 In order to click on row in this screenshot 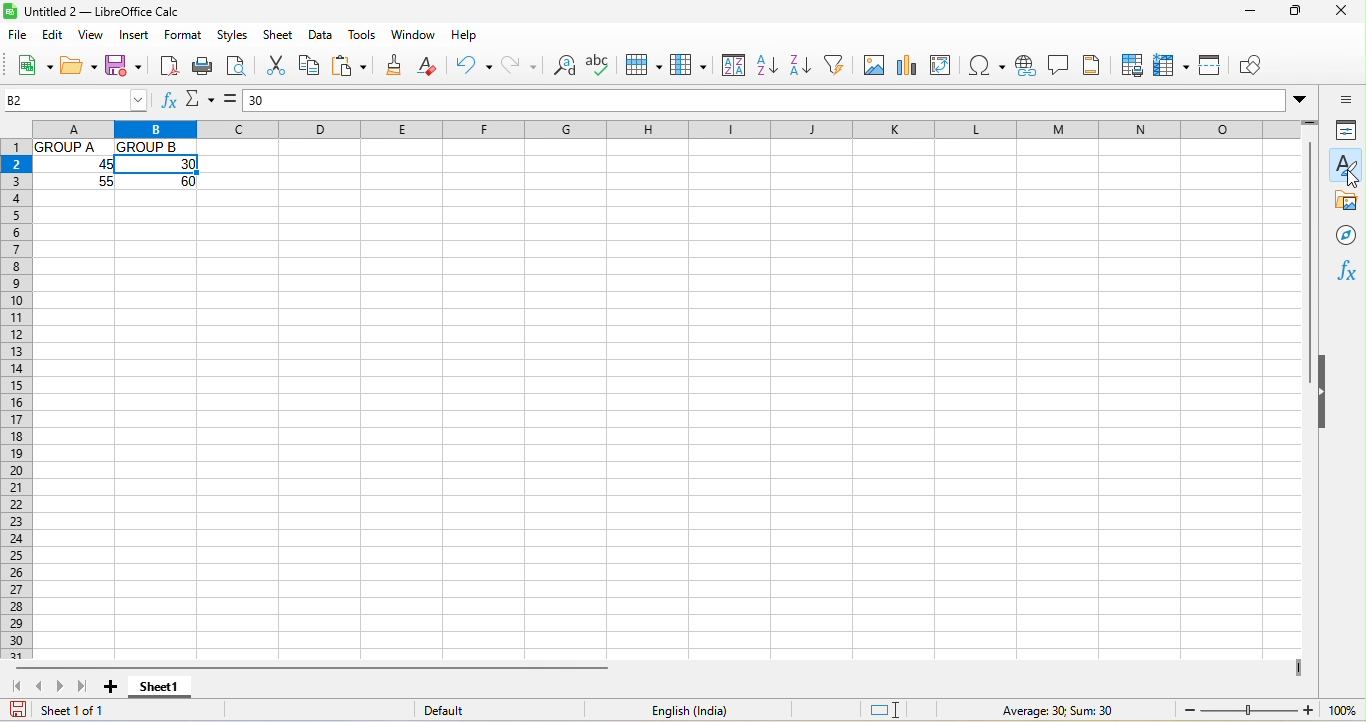, I will do `click(645, 64)`.